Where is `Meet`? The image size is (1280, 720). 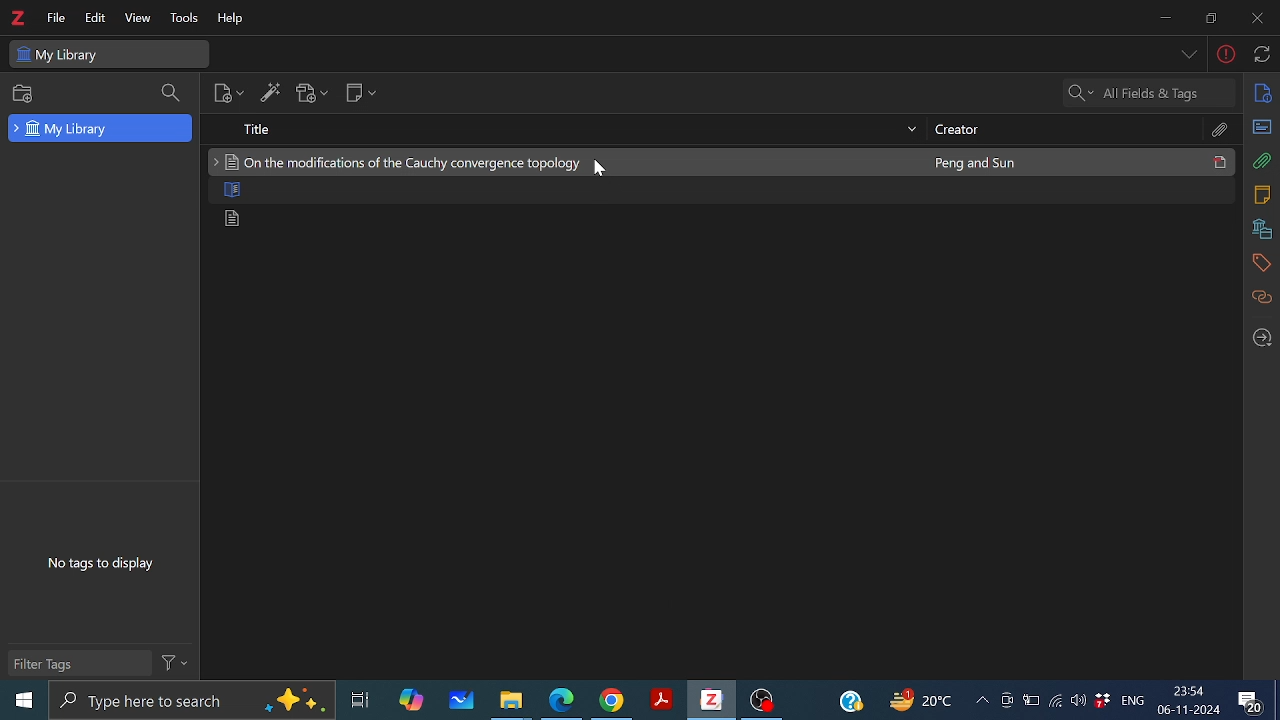 Meet is located at coordinates (1006, 701).